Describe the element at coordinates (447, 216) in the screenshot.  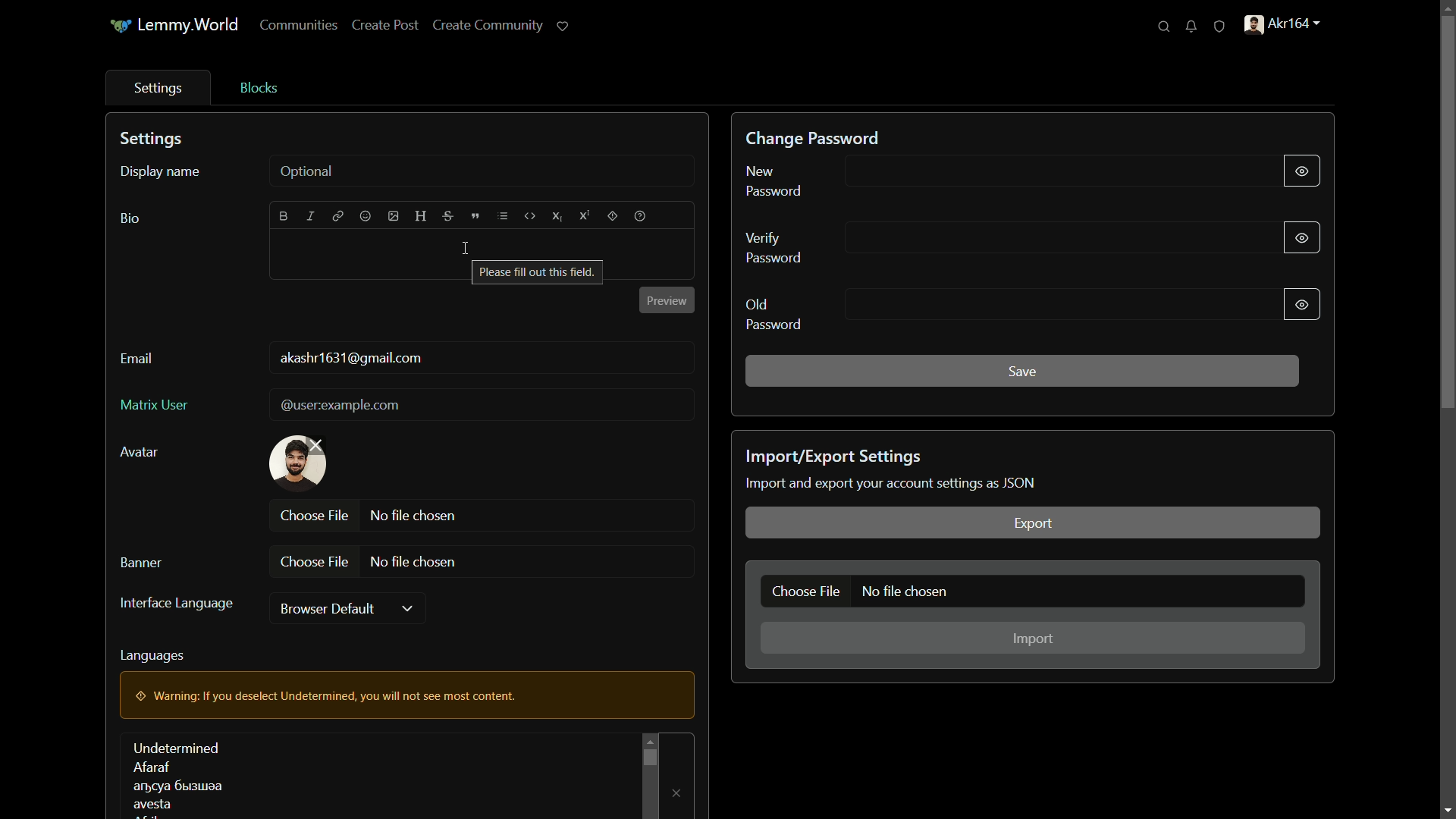
I see `strikethrough` at that location.